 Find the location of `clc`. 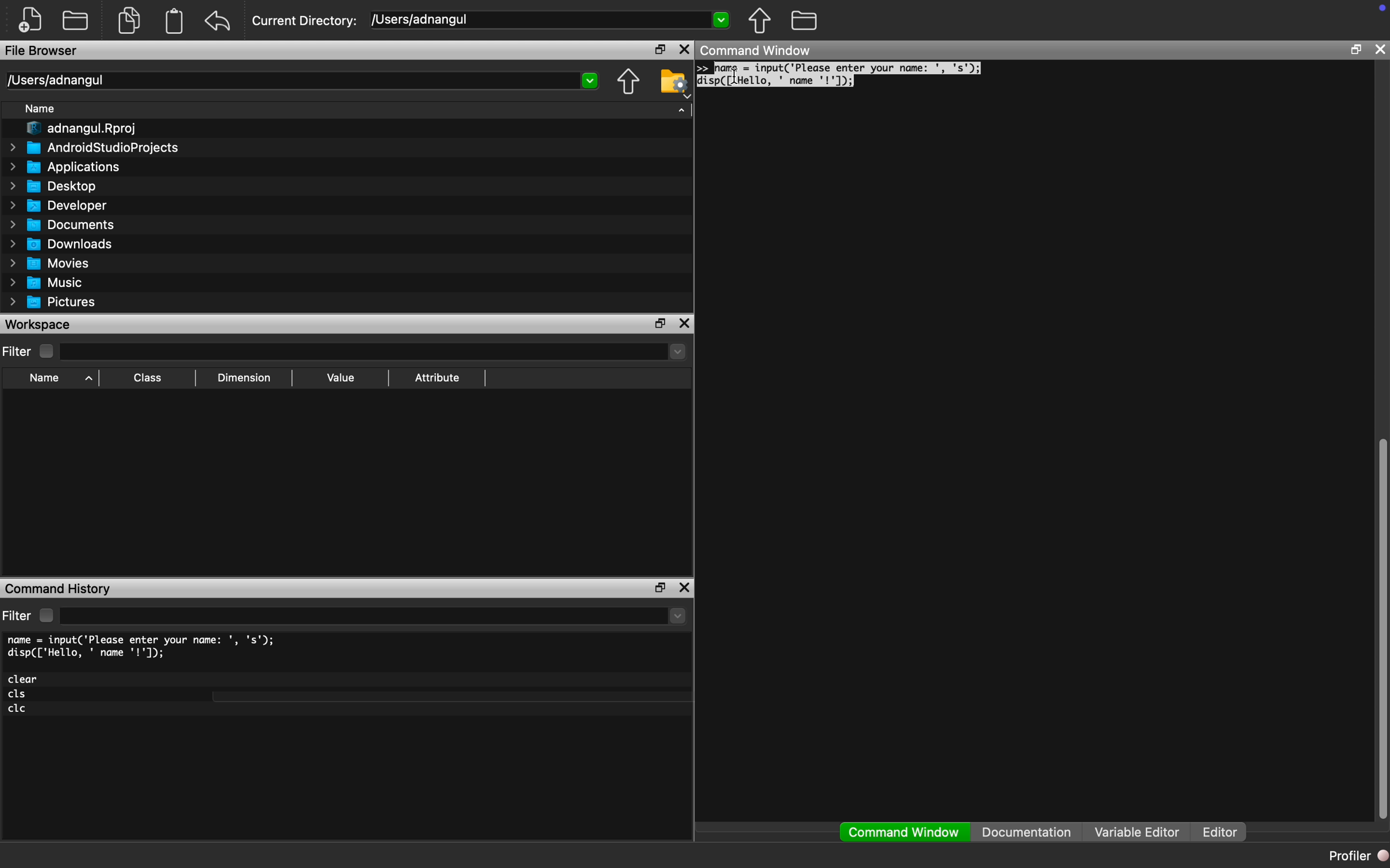

clc is located at coordinates (18, 709).